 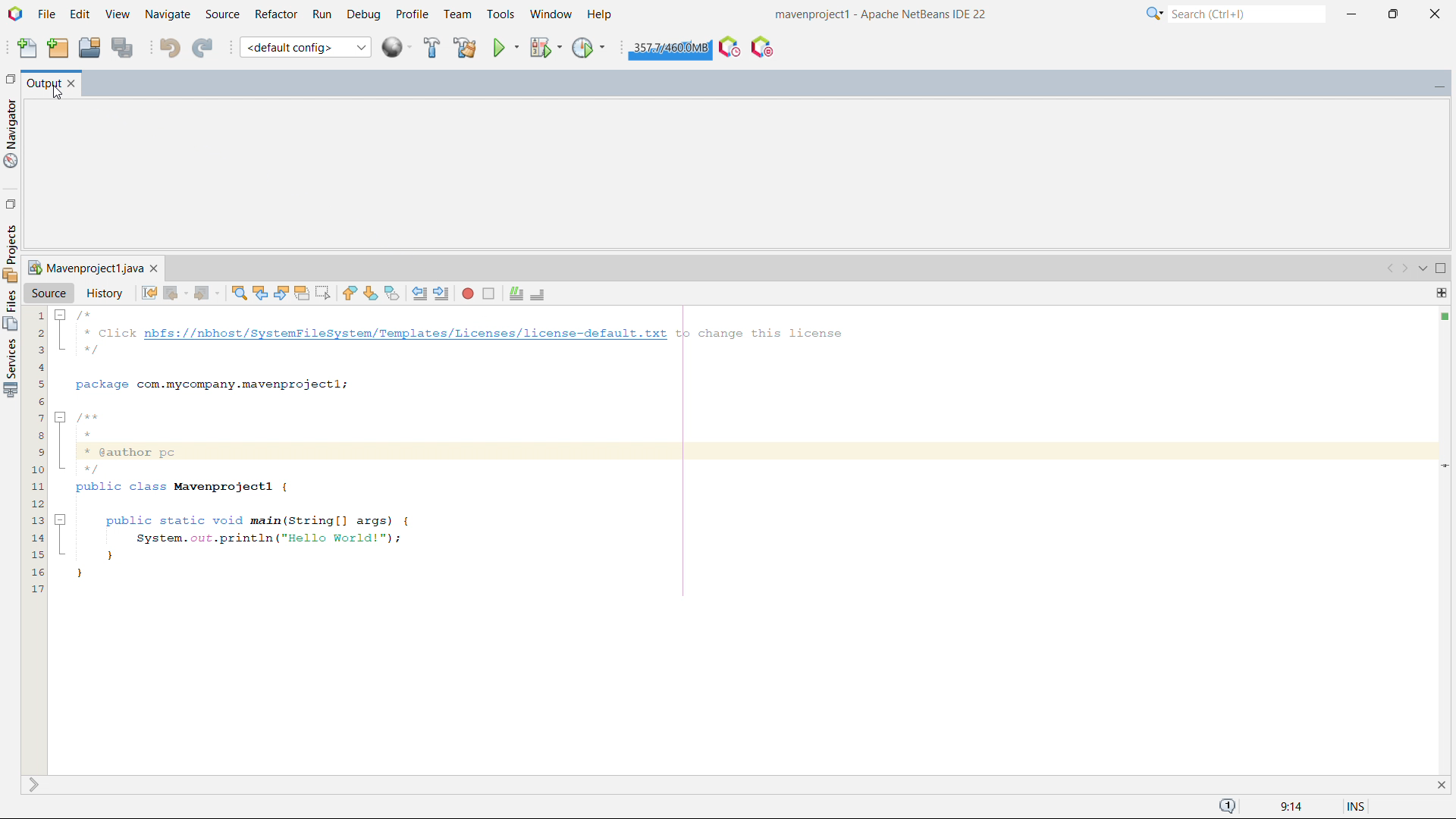 I want to click on 9:14, so click(x=1288, y=807).